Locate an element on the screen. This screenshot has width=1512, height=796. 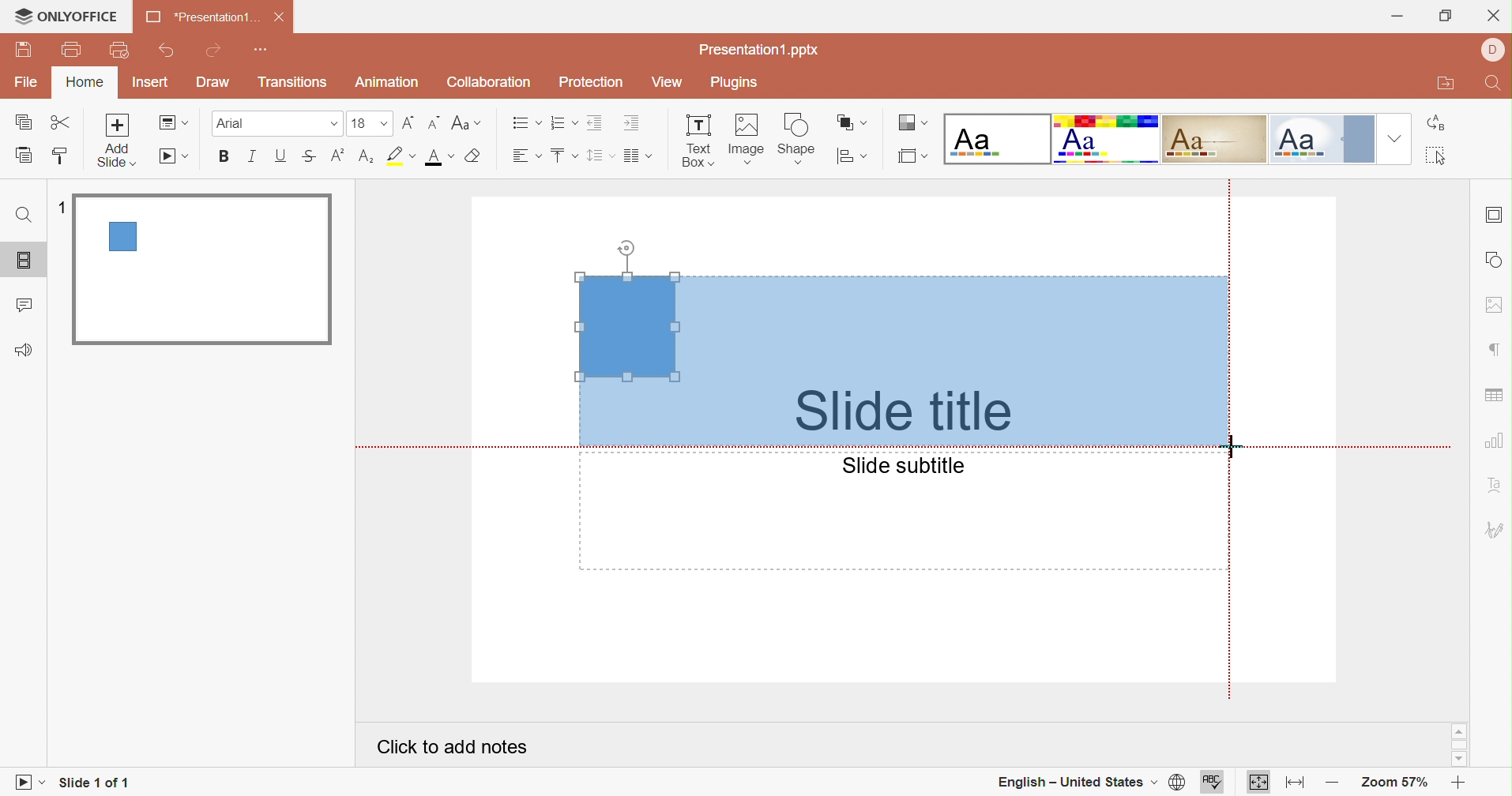
Close is located at coordinates (280, 17).